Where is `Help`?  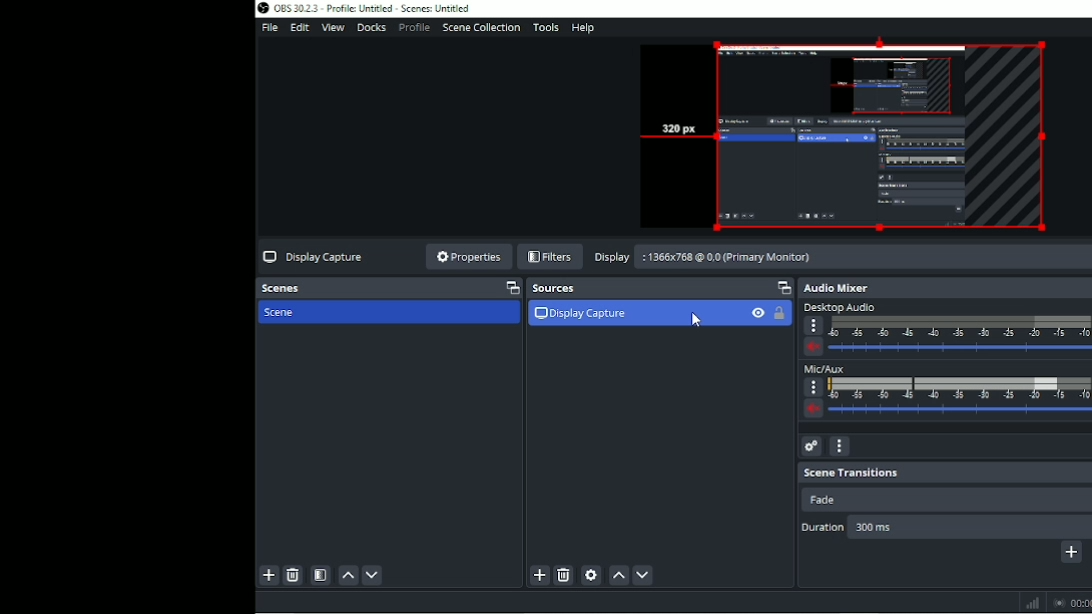
Help is located at coordinates (583, 27).